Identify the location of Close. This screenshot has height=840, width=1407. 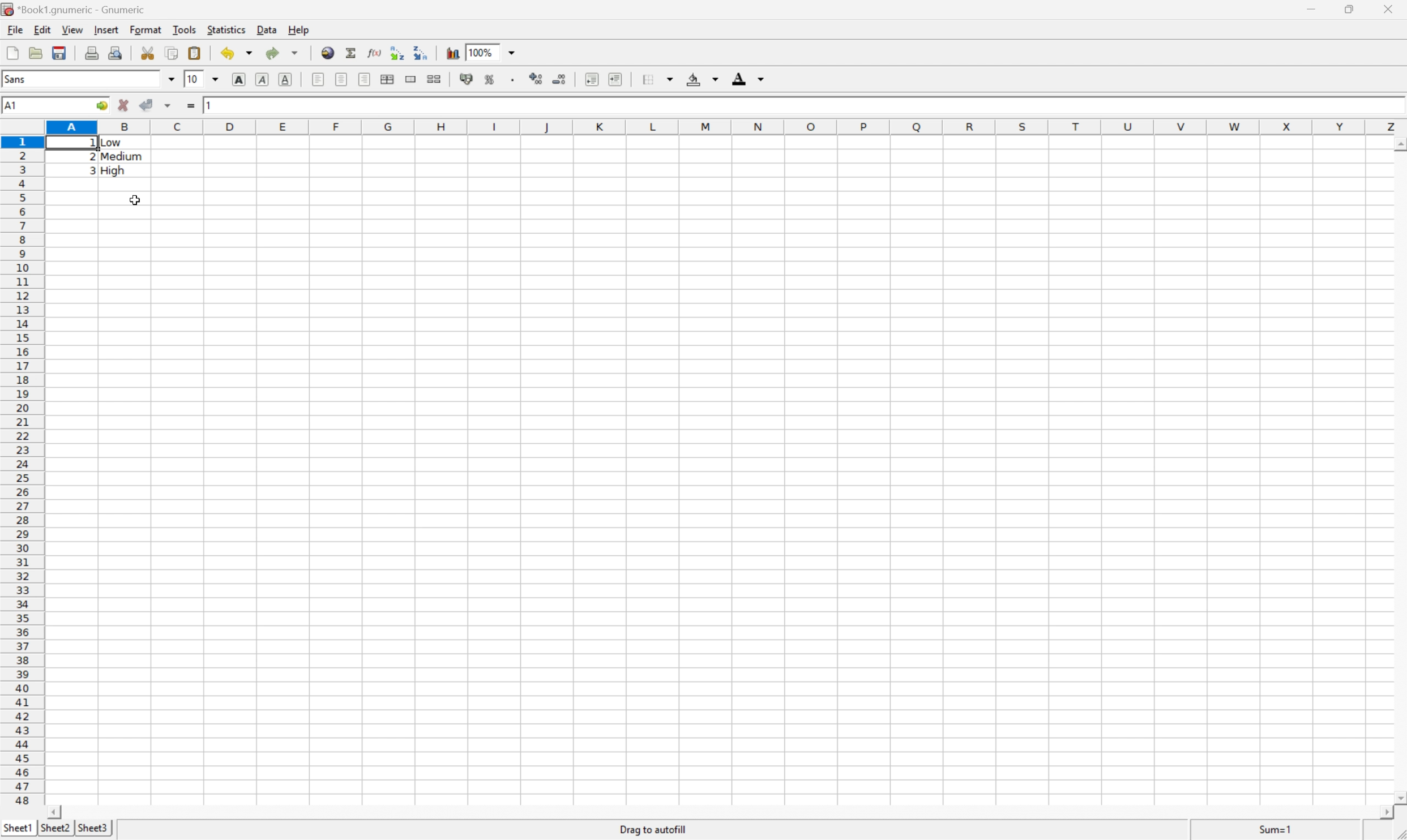
(1391, 10).